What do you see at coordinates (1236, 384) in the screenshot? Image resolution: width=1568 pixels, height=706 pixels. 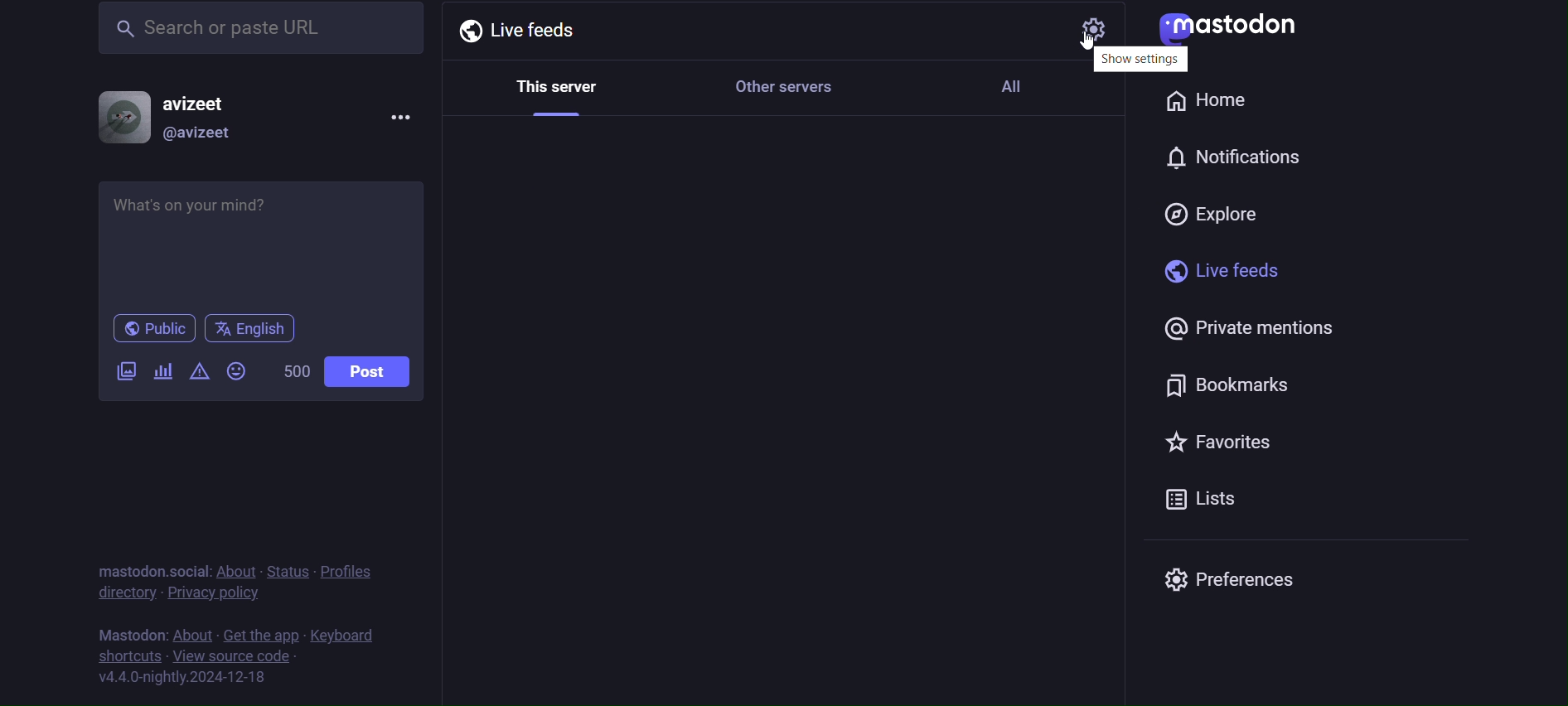 I see `bookmarks` at bounding box center [1236, 384].